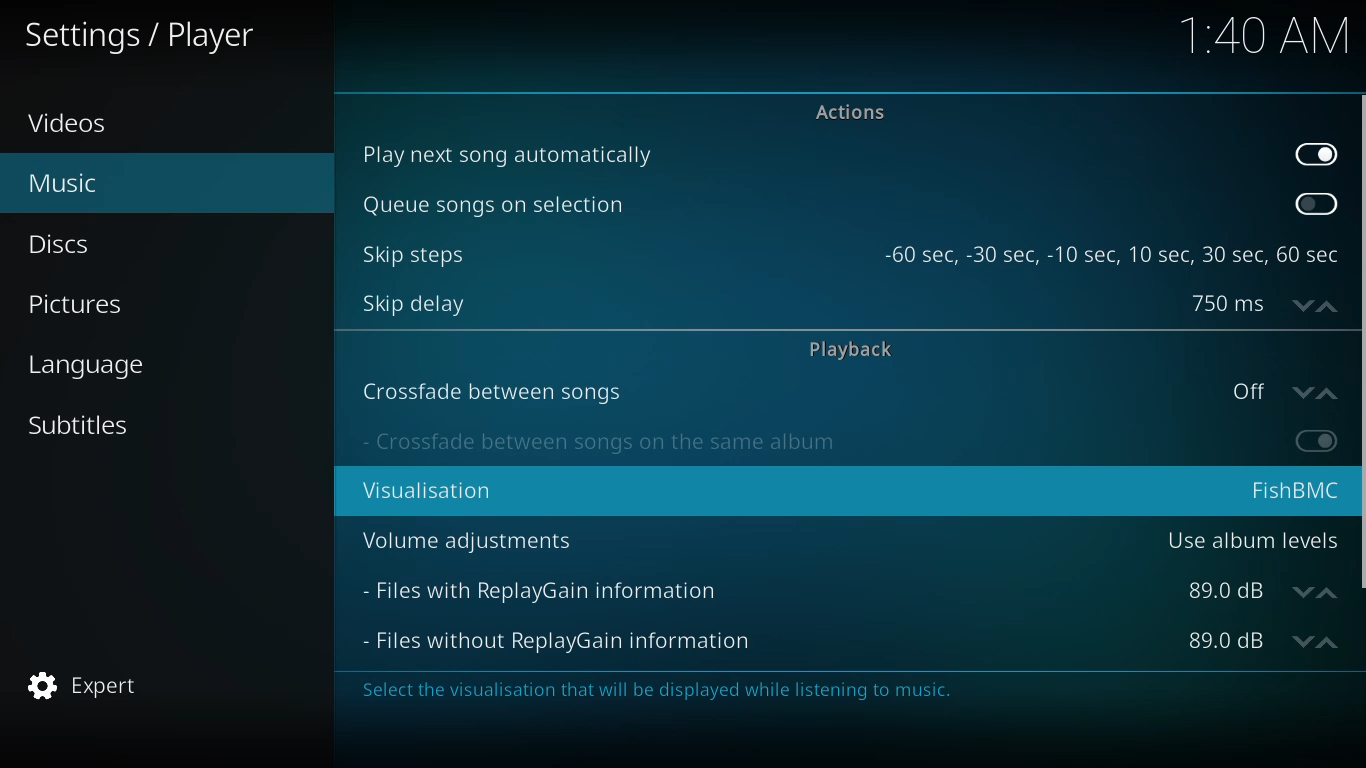  I want to click on playback, so click(851, 346).